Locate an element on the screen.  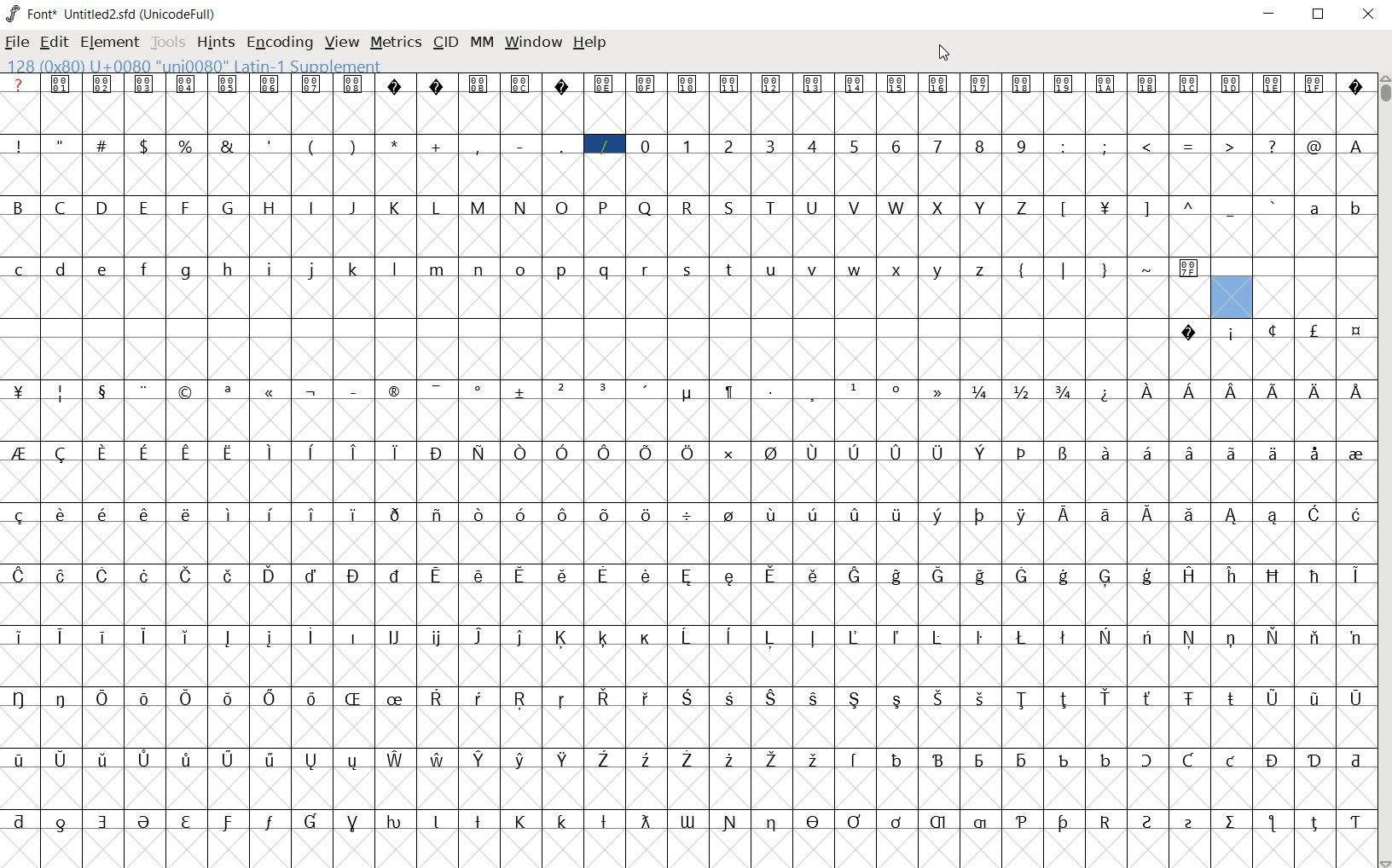
glyph is located at coordinates (103, 822).